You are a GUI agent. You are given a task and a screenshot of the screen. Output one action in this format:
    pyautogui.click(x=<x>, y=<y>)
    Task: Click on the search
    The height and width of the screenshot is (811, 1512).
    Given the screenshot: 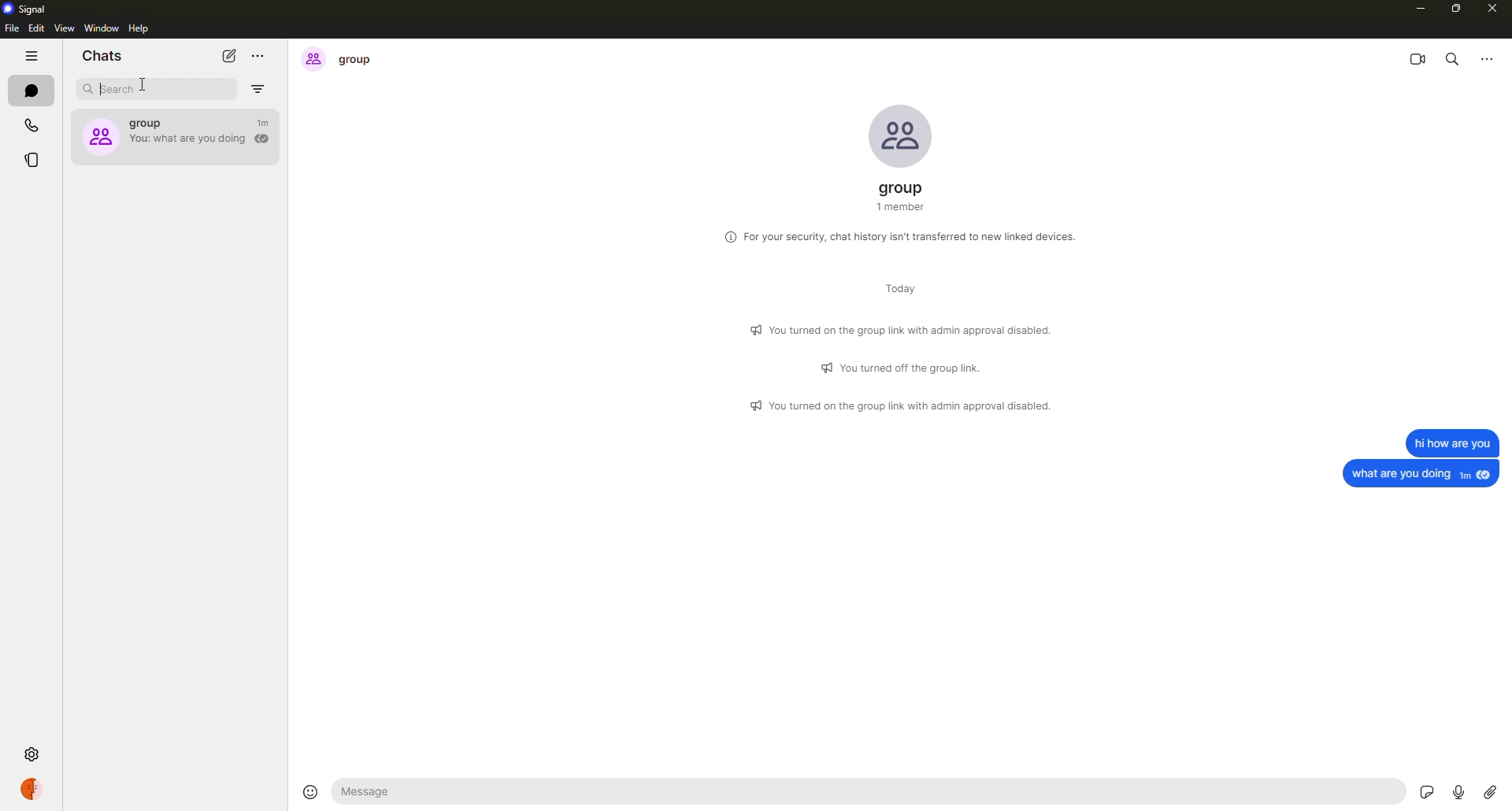 What is the action you would take?
    pyautogui.click(x=113, y=89)
    